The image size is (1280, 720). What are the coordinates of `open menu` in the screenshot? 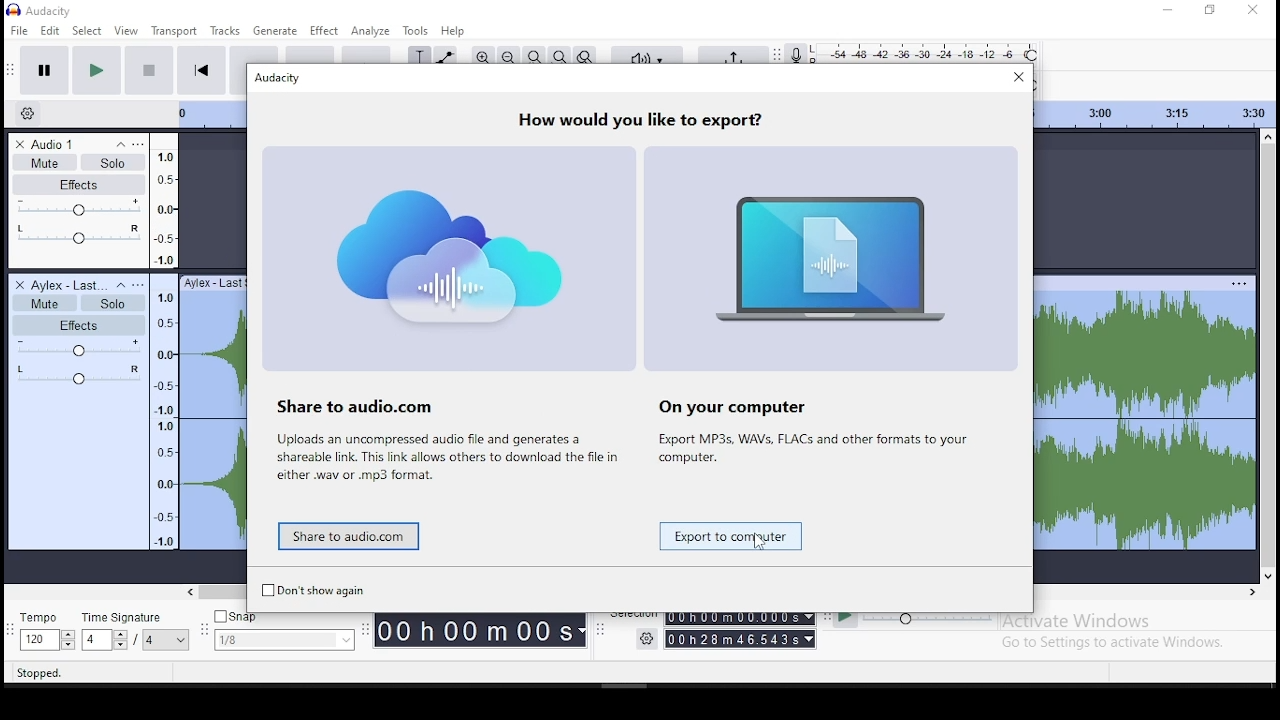 It's located at (141, 284).